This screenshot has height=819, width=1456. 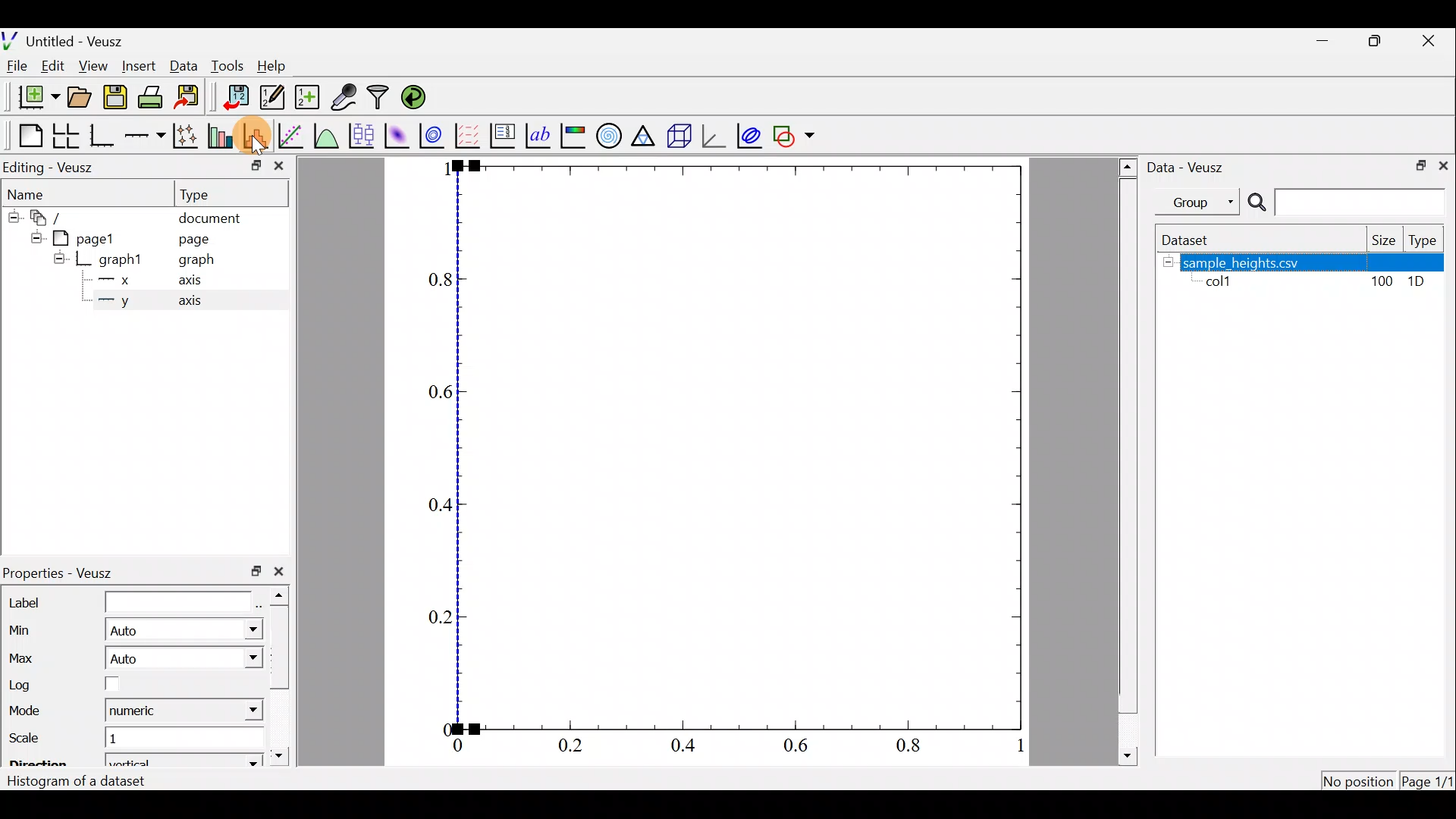 I want to click on close, so click(x=1429, y=44).